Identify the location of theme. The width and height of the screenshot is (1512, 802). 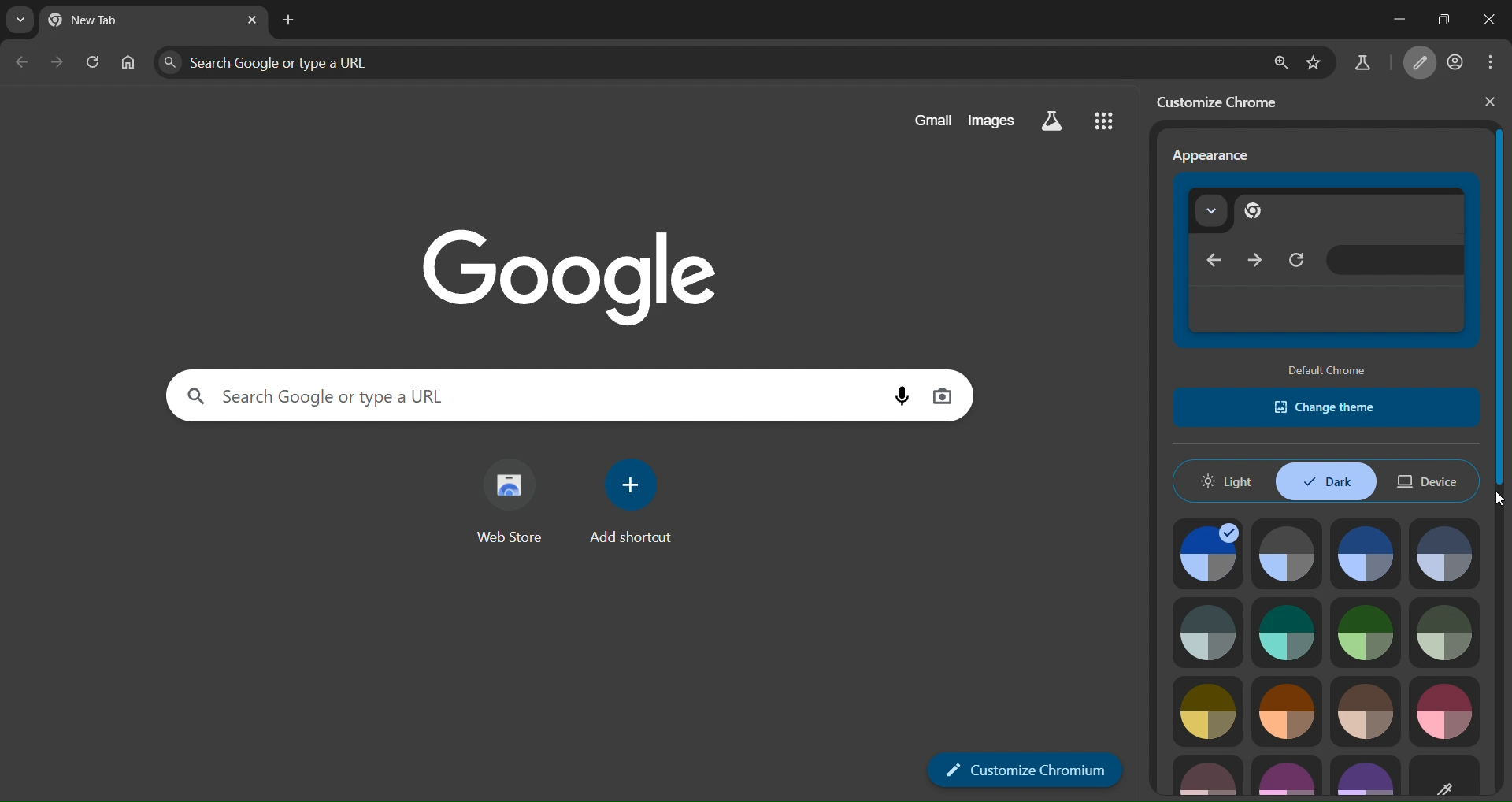
(1290, 555).